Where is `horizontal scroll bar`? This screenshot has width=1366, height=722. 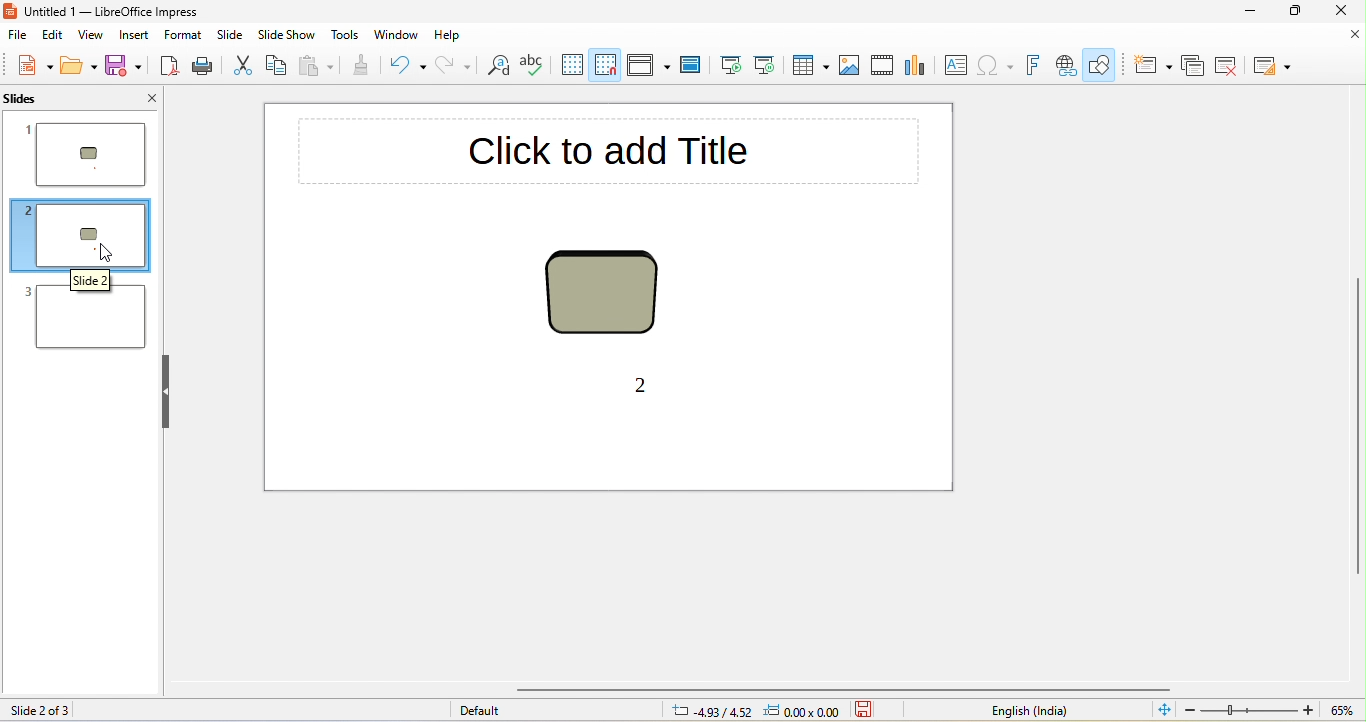
horizontal scroll bar is located at coordinates (845, 690).